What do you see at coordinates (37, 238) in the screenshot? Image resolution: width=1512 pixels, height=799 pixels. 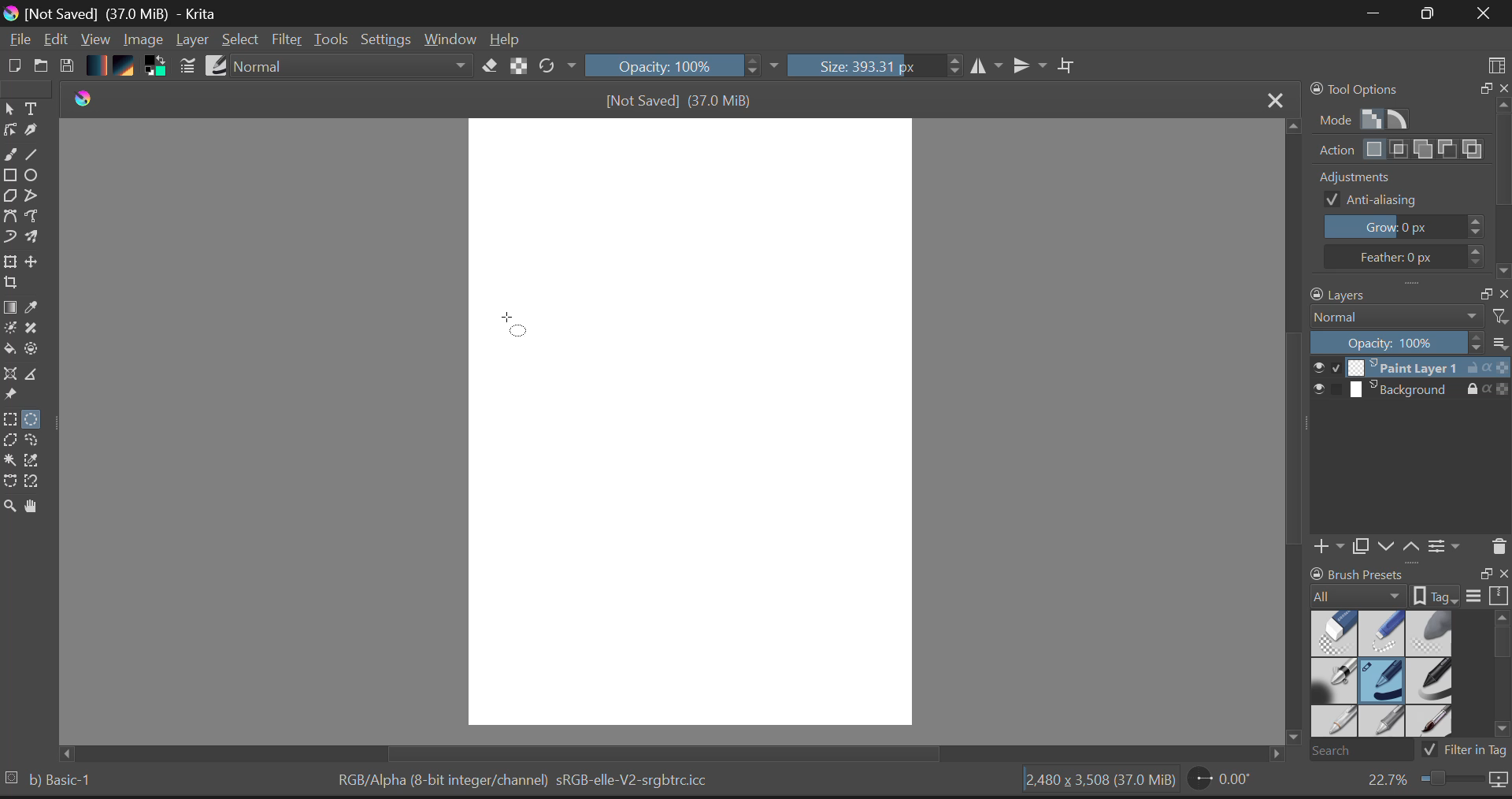 I see `Multibrush Tool` at bounding box center [37, 238].